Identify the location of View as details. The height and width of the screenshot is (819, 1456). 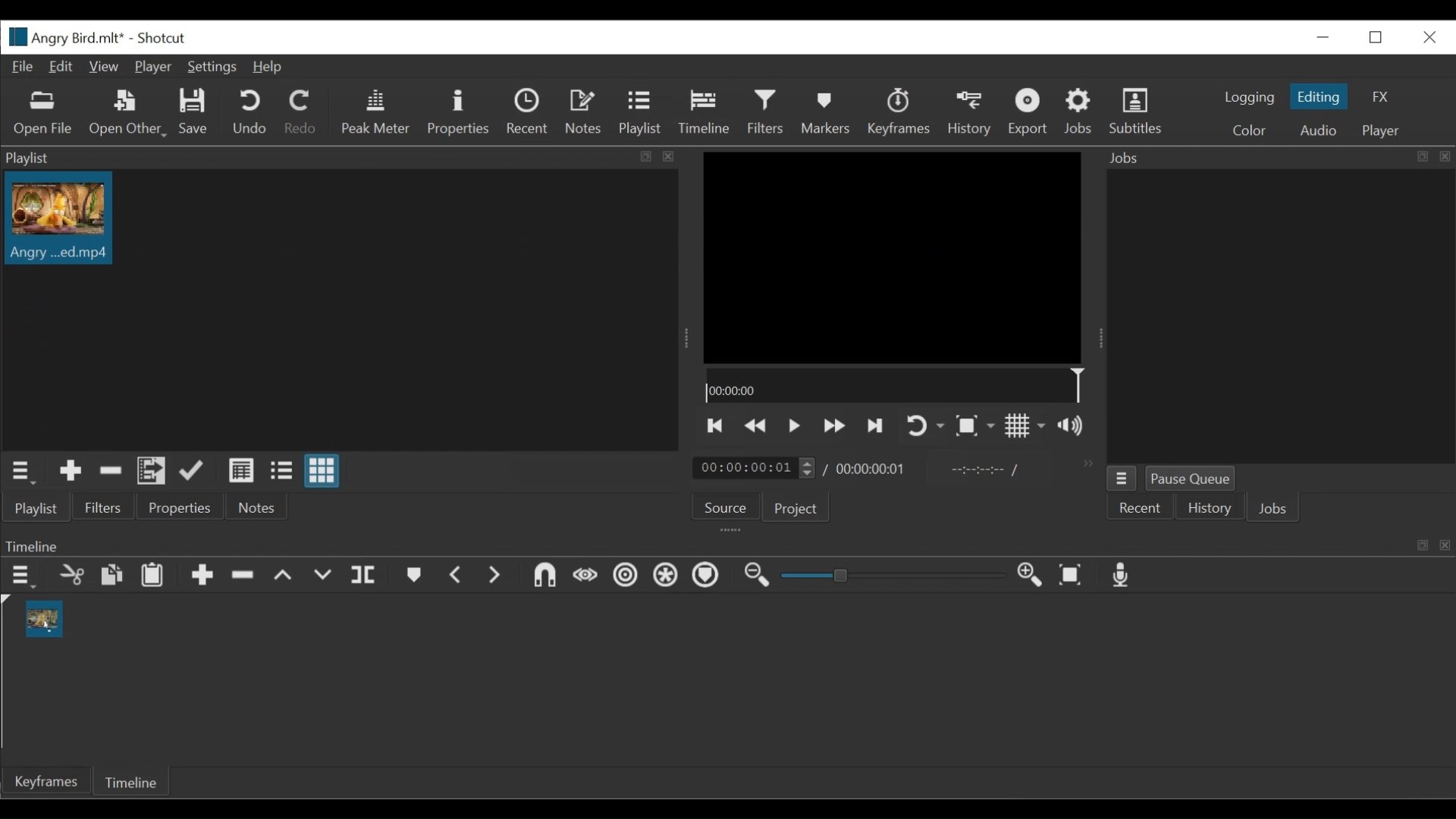
(240, 471).